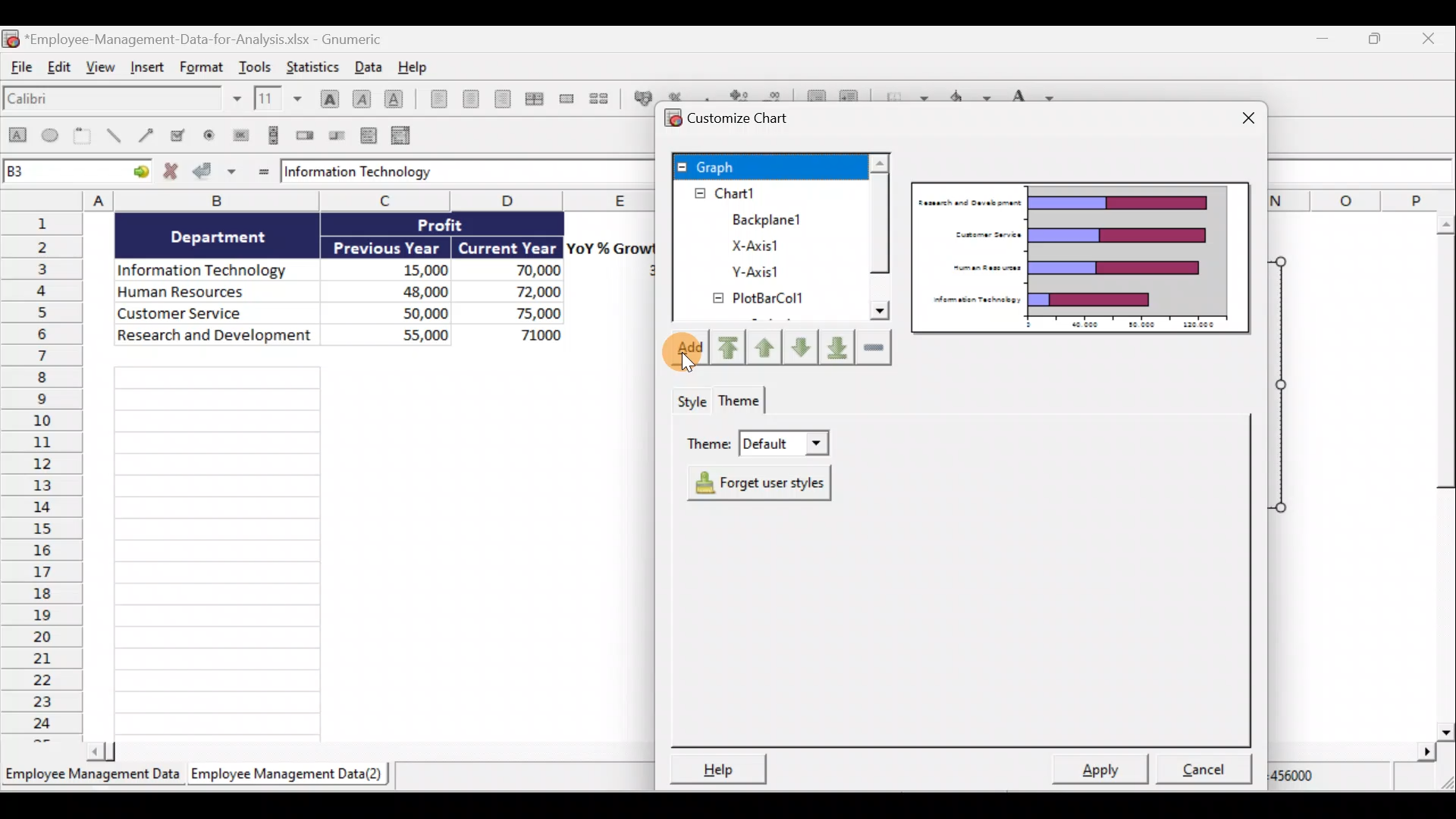 This screenshot has width=1456, height=819. Describe the element at coordinates (209, 266) in the screenshot. I see `Information Technology` at that location.